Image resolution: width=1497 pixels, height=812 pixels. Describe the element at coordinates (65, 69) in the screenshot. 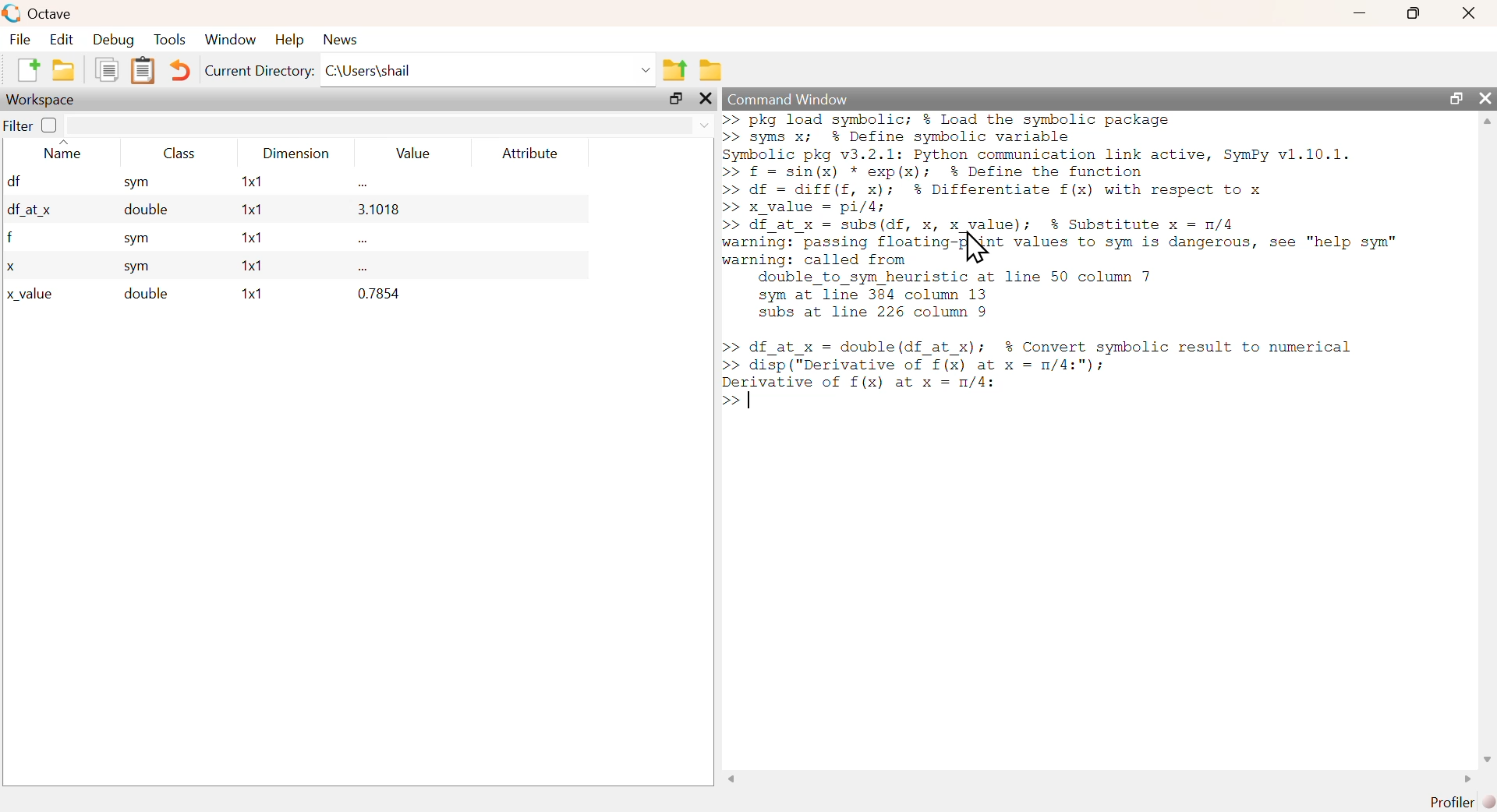

I see `open an existing file in editor` at that location.